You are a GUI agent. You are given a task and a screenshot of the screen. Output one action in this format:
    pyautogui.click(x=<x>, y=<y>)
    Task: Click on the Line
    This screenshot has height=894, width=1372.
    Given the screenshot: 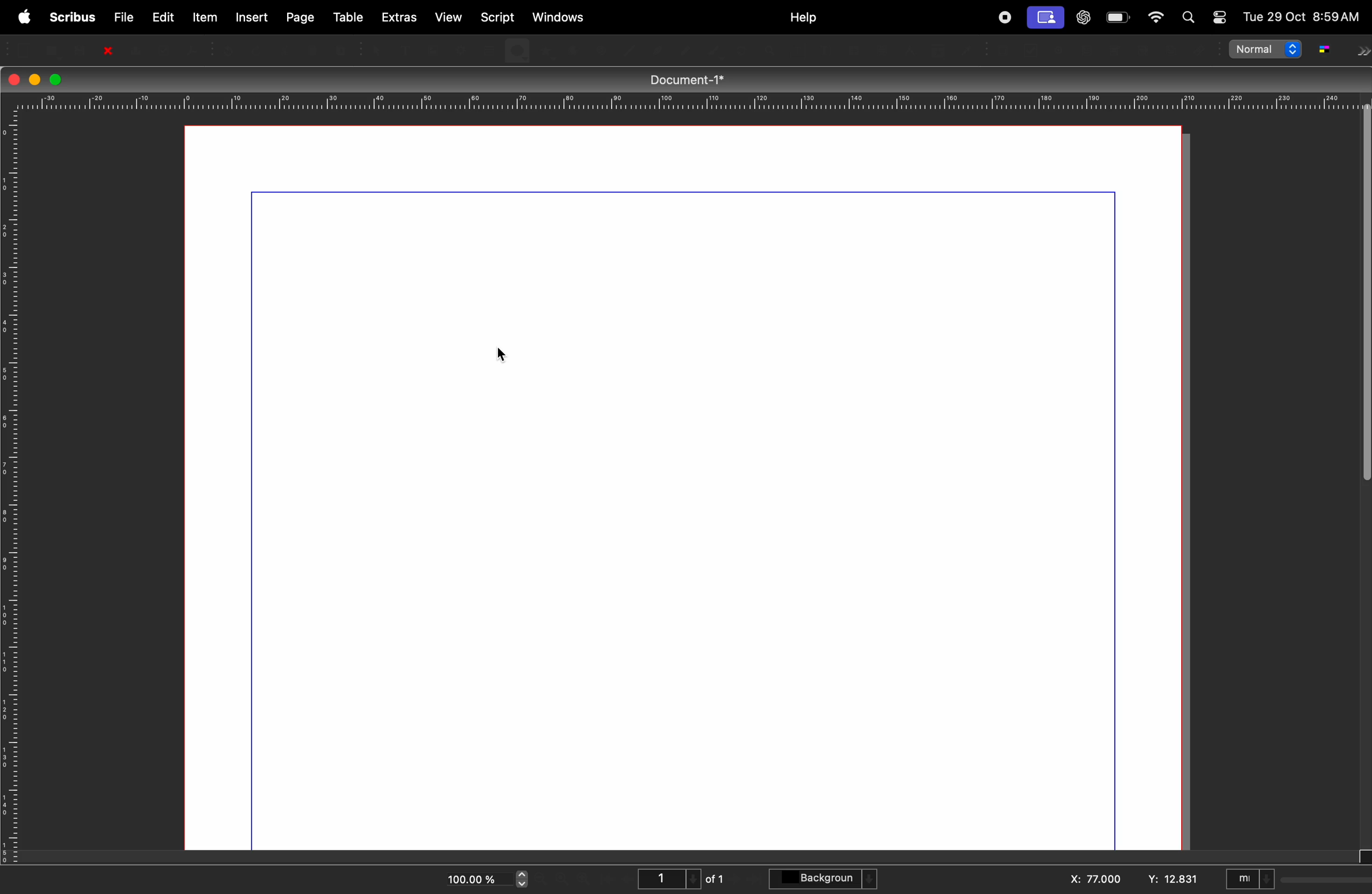 What is the action you would take?
    pyautogui.click(x=632, y=50)
    